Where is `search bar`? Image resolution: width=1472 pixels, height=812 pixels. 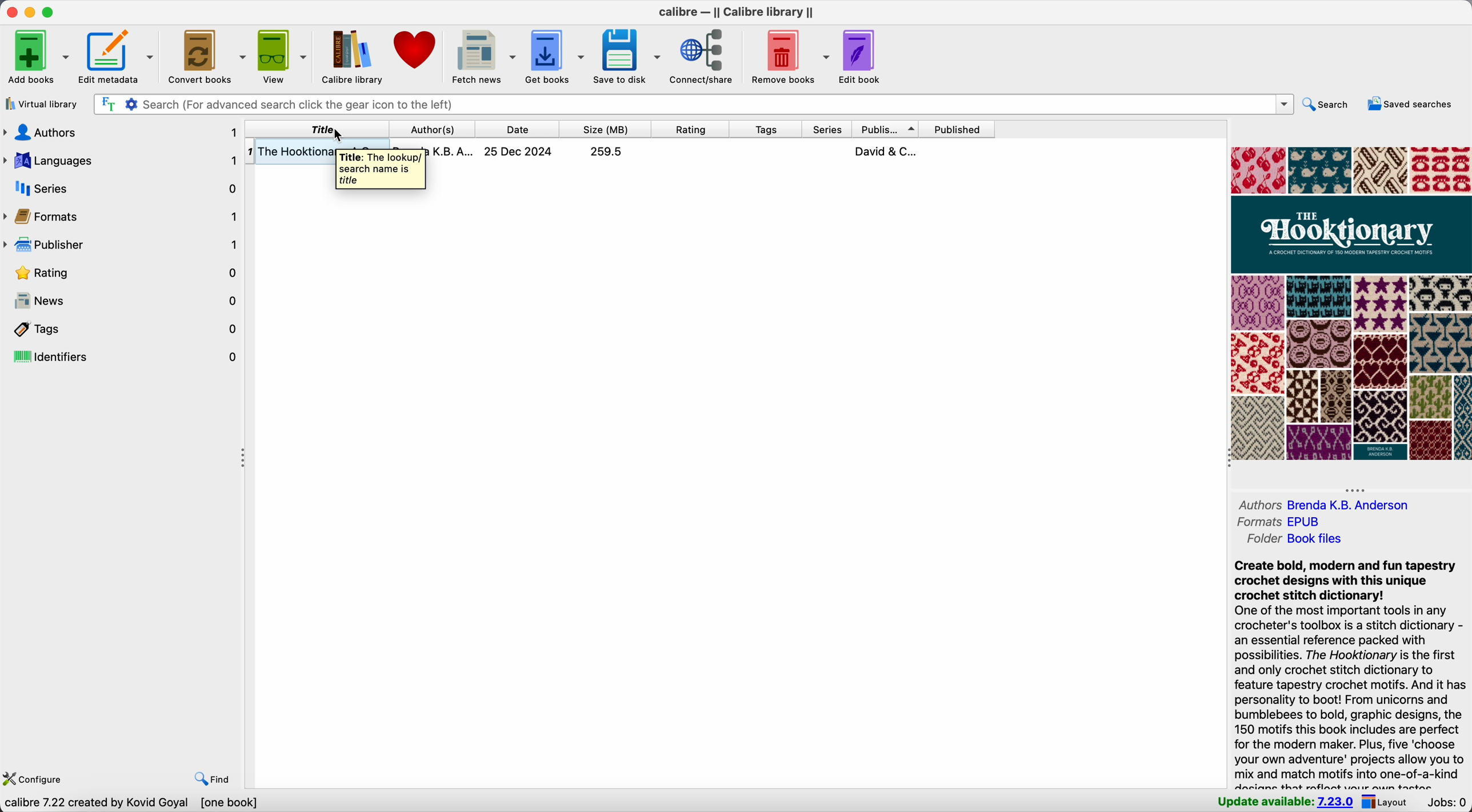
search bar is located at coordinates (690, 105).